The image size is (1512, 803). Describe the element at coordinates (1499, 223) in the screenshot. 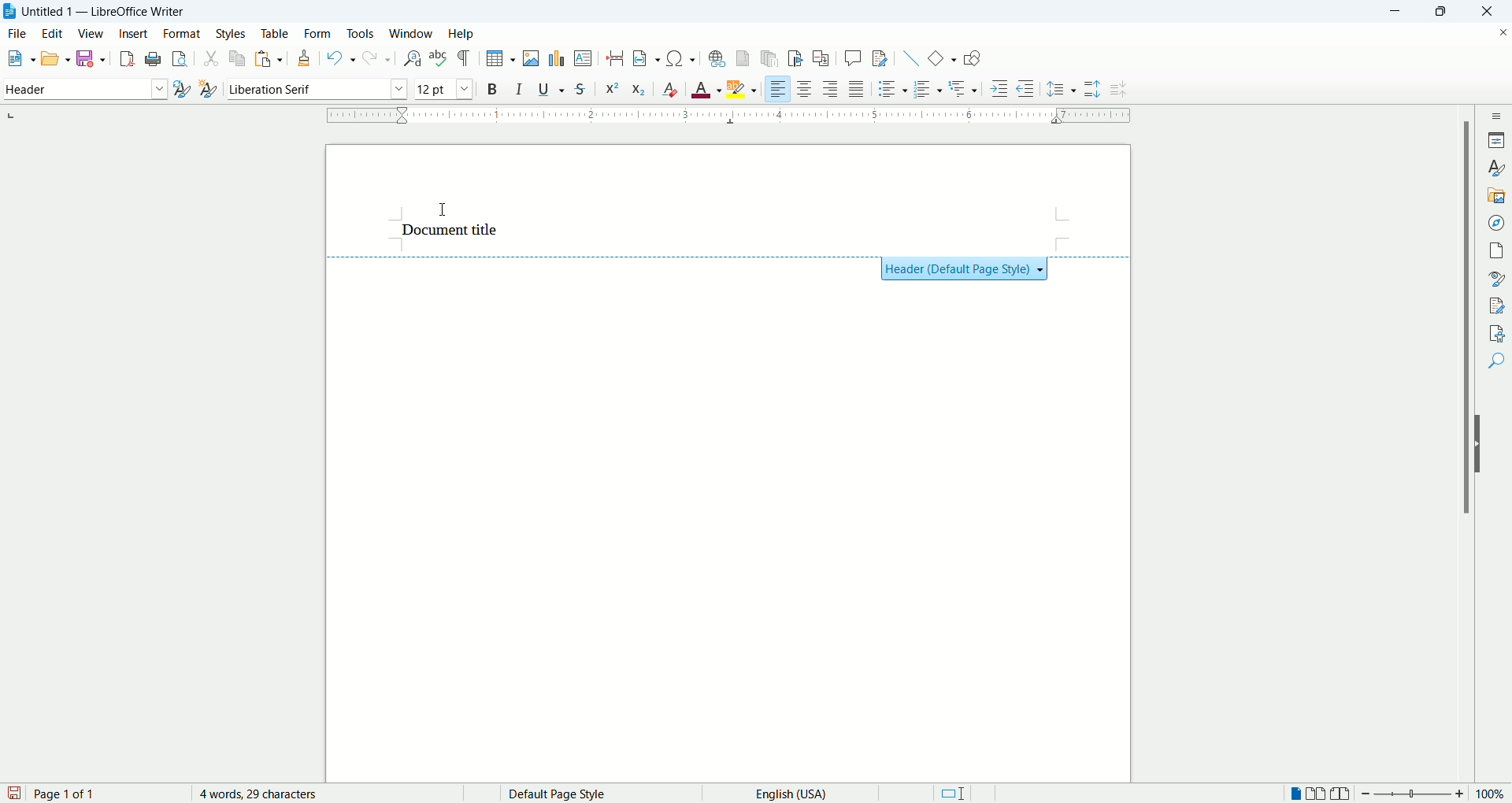

I see `navigator` at that location.